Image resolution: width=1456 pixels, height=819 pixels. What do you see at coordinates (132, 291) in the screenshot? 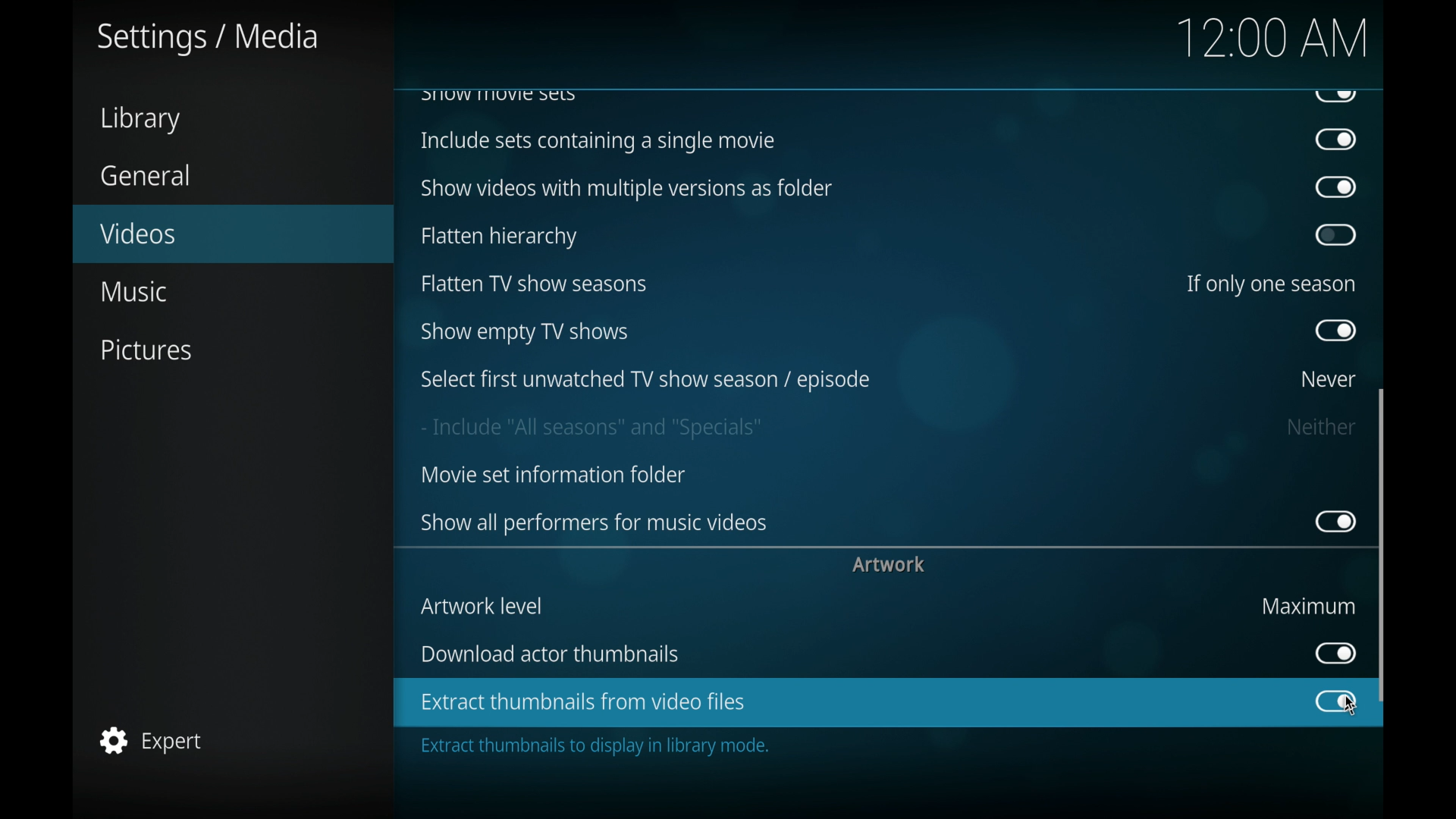
I see `music` at bounding box center [132, 291].